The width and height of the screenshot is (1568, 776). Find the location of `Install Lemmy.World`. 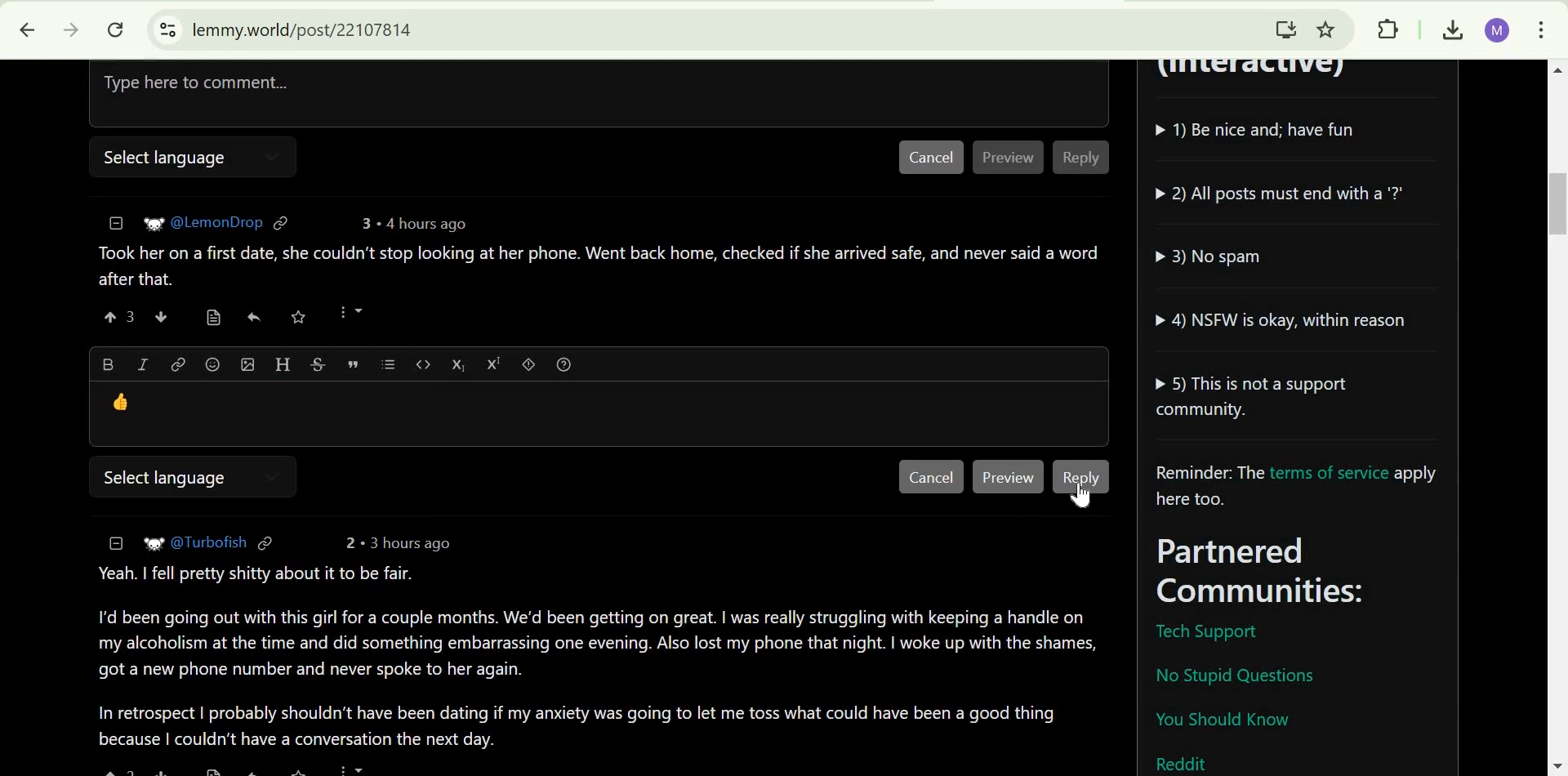

Install Lemmy.World is located at coordinates (1282, 27).